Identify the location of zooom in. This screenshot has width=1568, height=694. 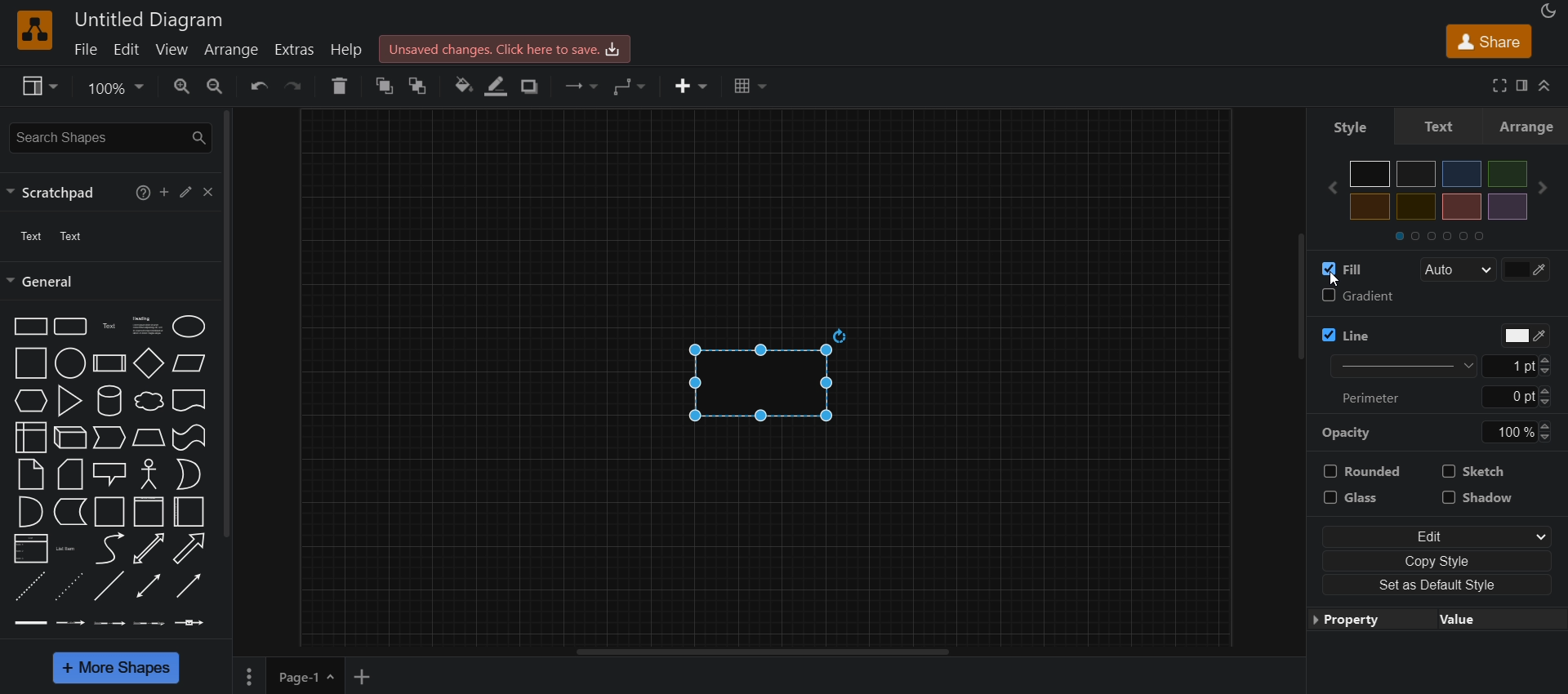
(182, 85).